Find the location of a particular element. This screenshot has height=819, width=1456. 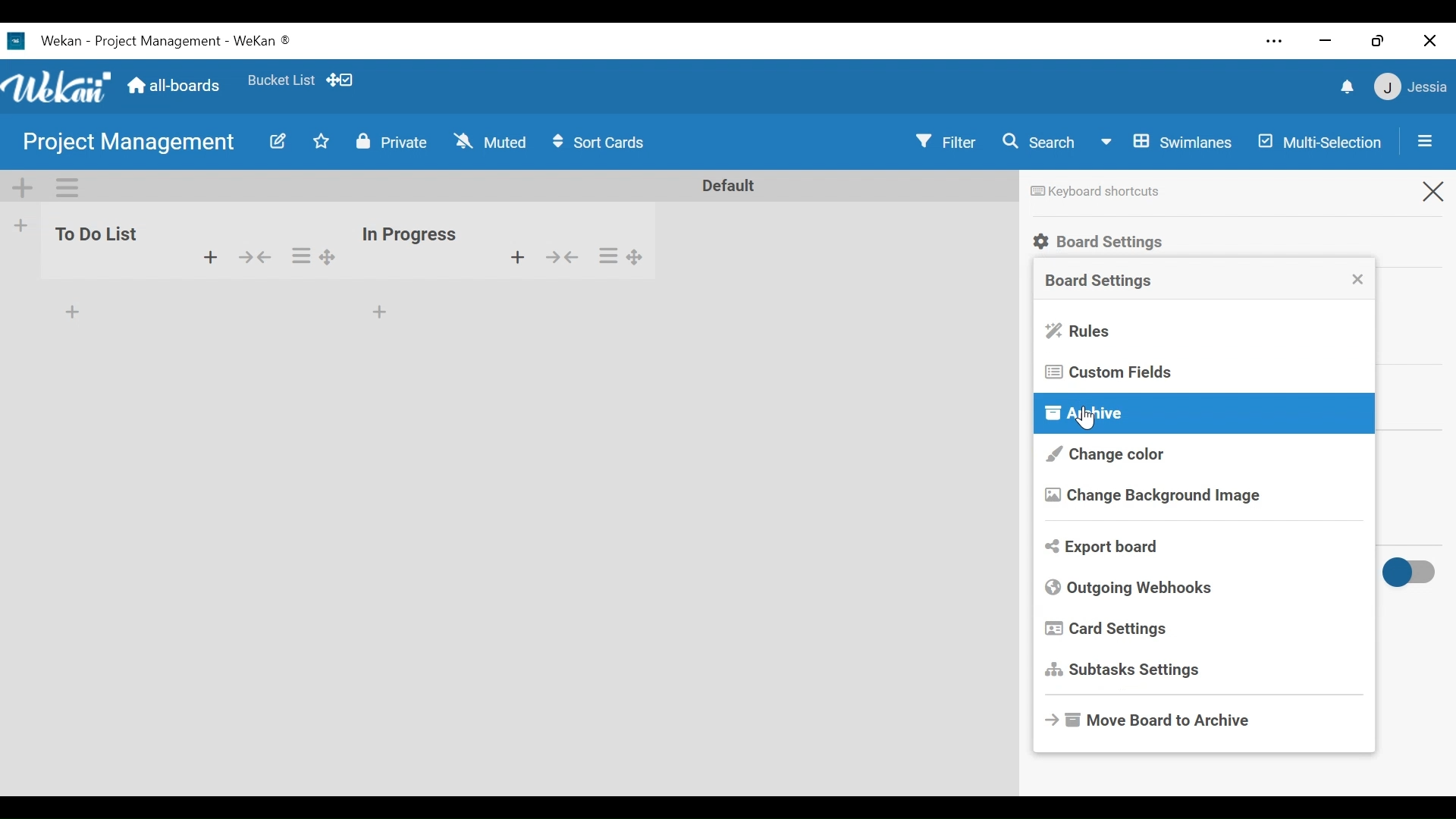

Multi-Selection is located at coordinates (1319, 141).